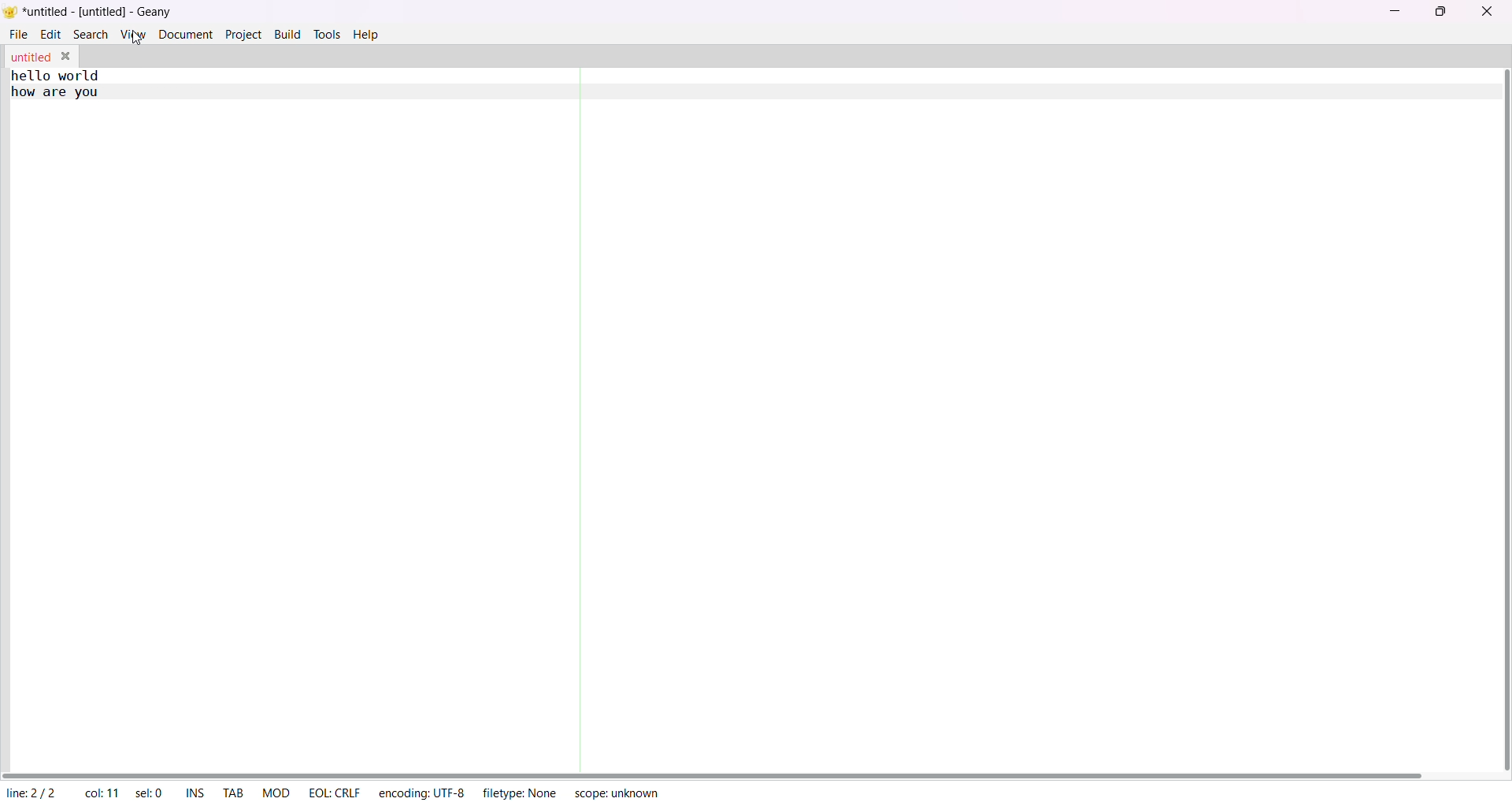 The width and height of the screenshot is (1512, 802). I want to click on ins, so click(195, 793).